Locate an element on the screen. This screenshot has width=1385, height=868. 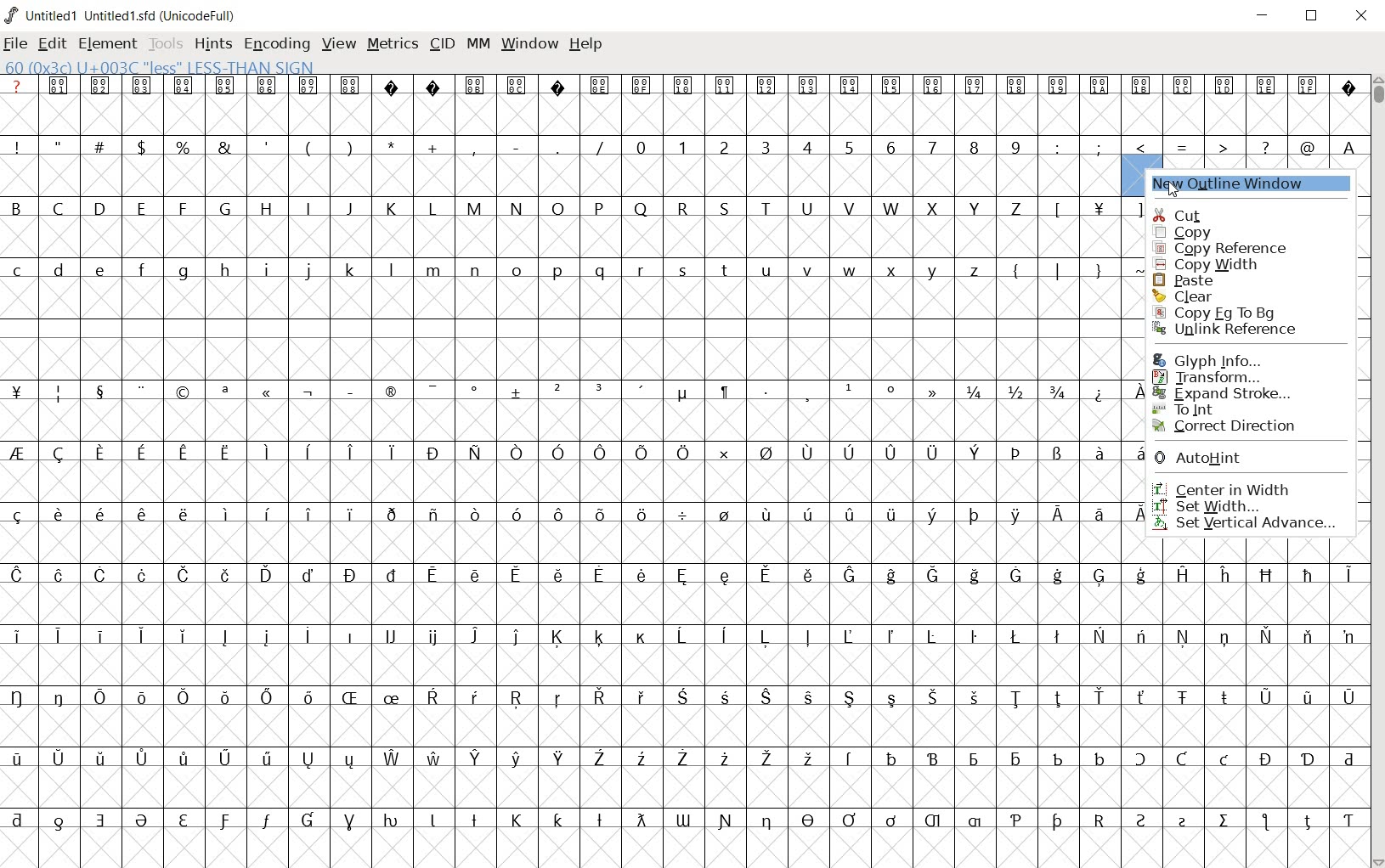
cid is located at coordinates (441, 45).